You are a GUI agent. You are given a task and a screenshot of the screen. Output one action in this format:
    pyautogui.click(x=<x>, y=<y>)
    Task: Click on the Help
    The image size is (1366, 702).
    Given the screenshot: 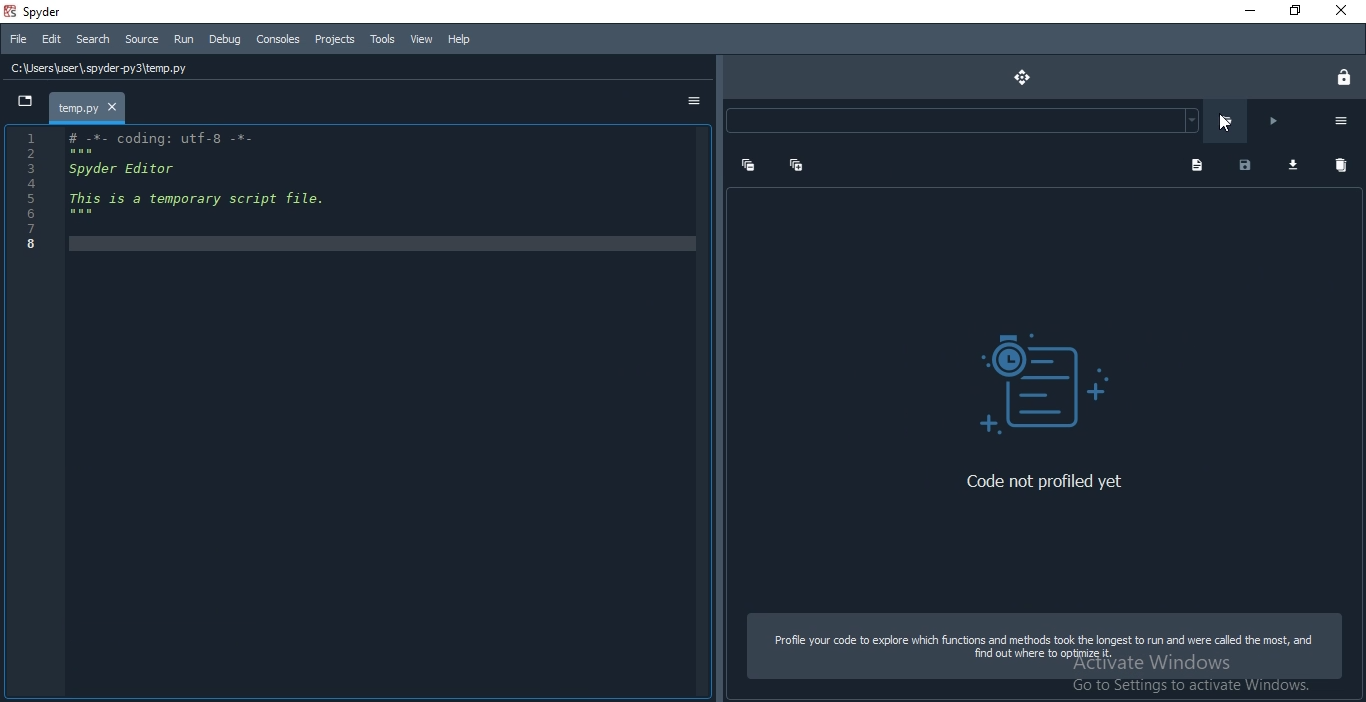 What is the action you would take?
    pyautogui.click(x=456, y=40)
    